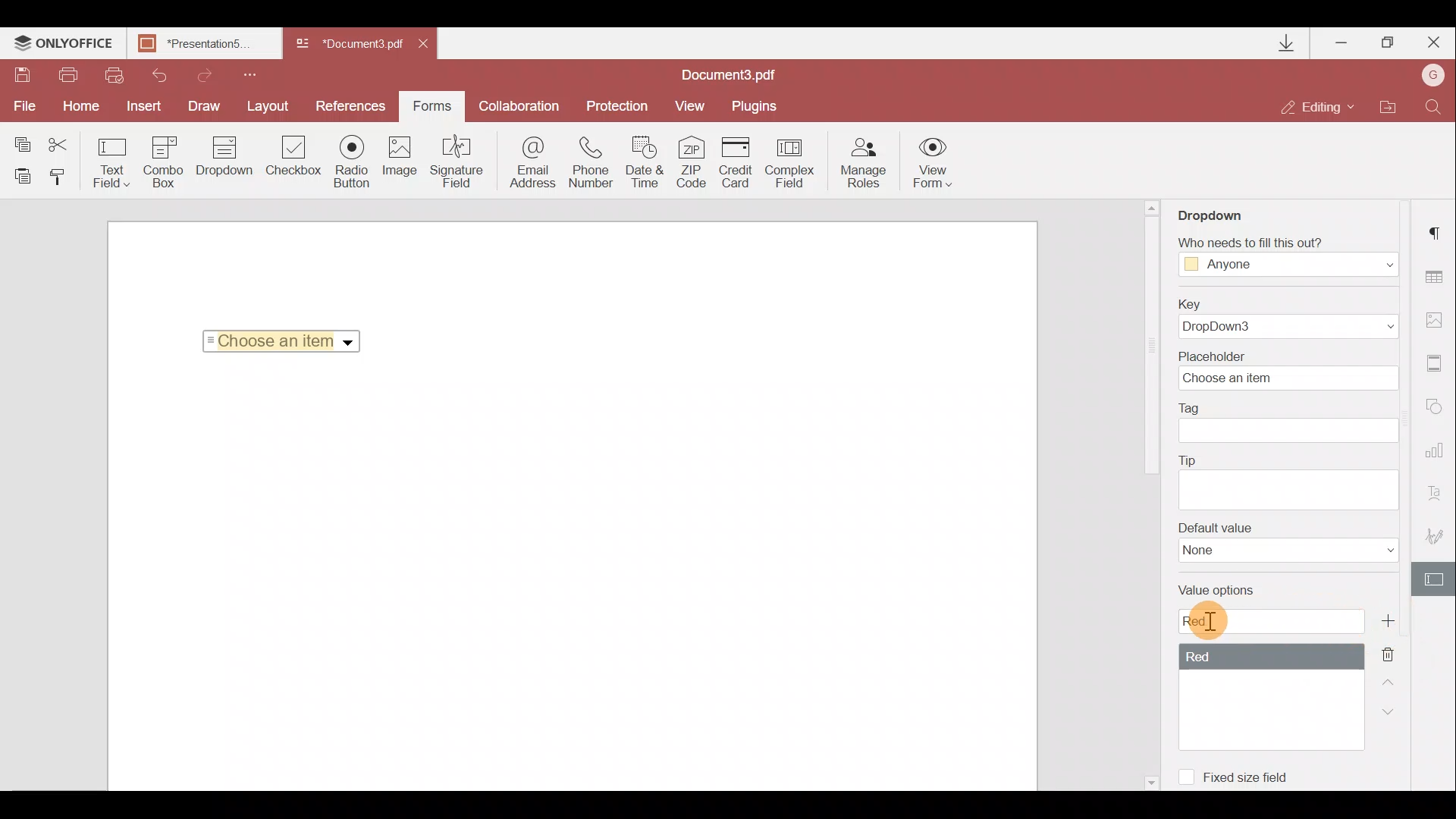 The height and width of the screenshot is (819, 1456). What do you see at coordinates (63, 180) in the screenshot?
I see `Copy style` at bounding box center [63, 180].